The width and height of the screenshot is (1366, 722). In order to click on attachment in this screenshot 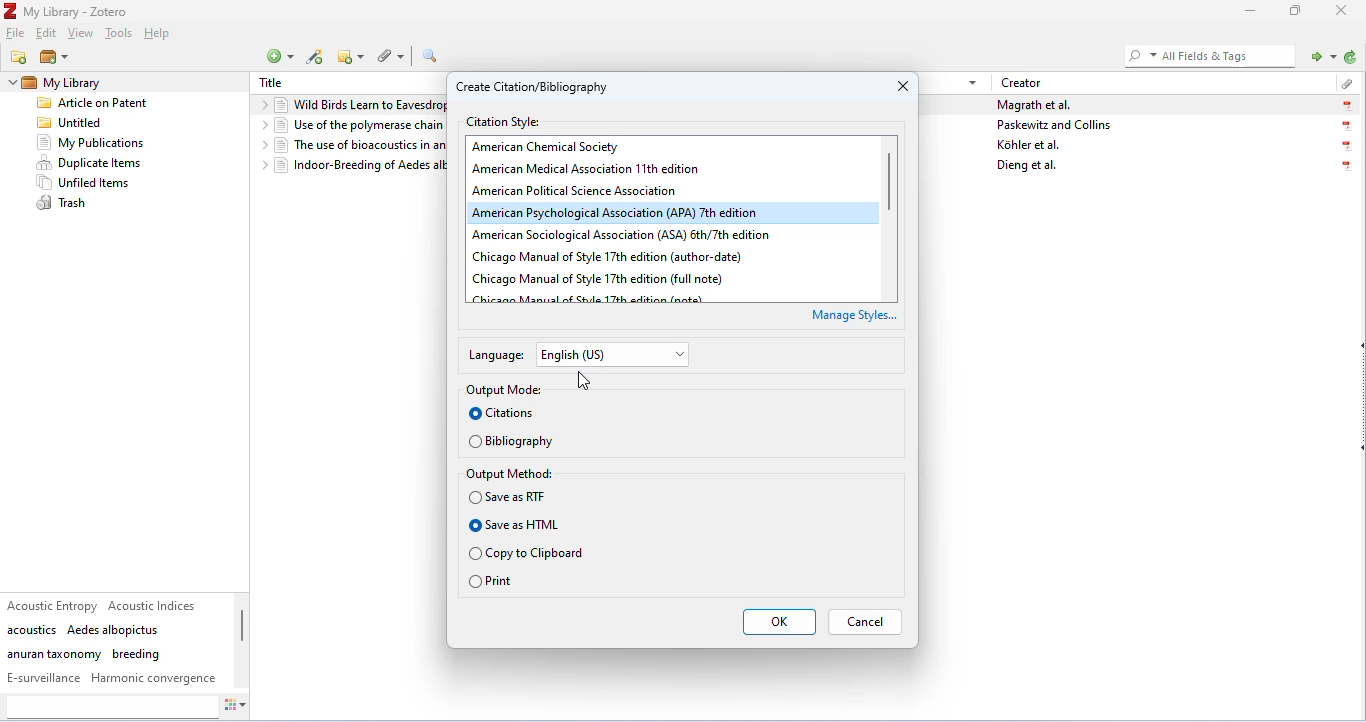, I will do `click(389, 56)`.